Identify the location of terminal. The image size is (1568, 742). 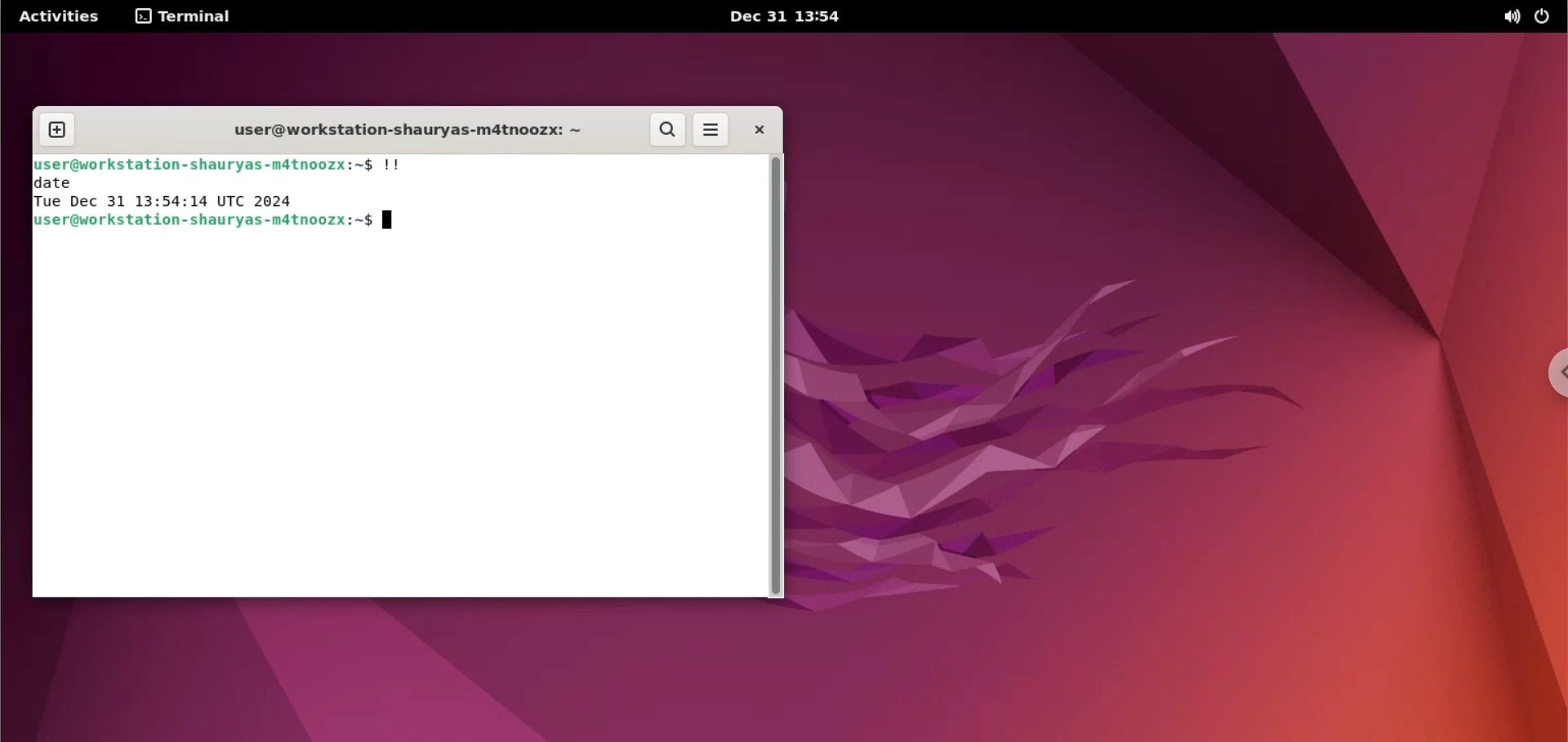
(189, 15).